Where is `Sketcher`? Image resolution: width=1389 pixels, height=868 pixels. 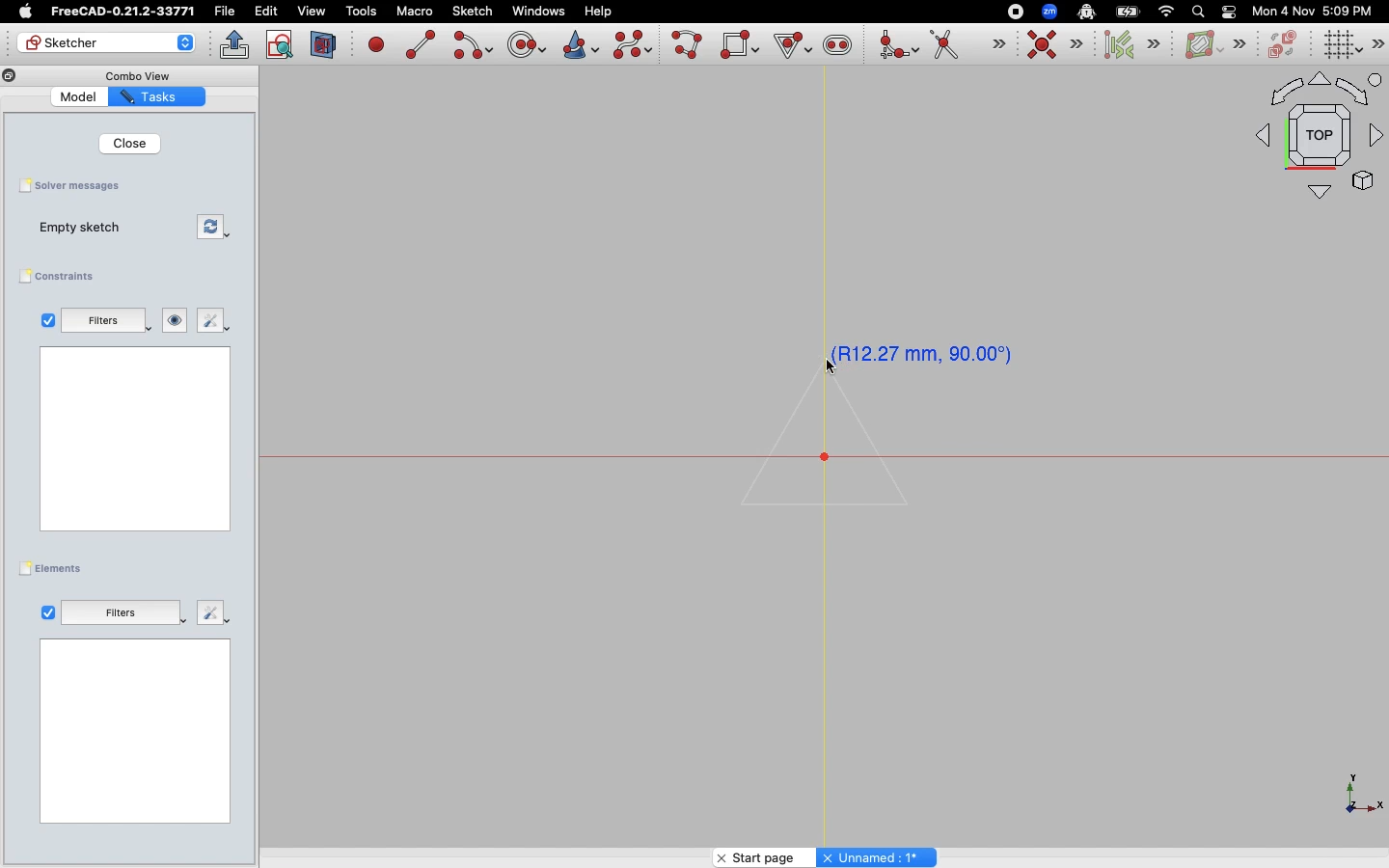
Sketcher is located at coordinates (104, 43).